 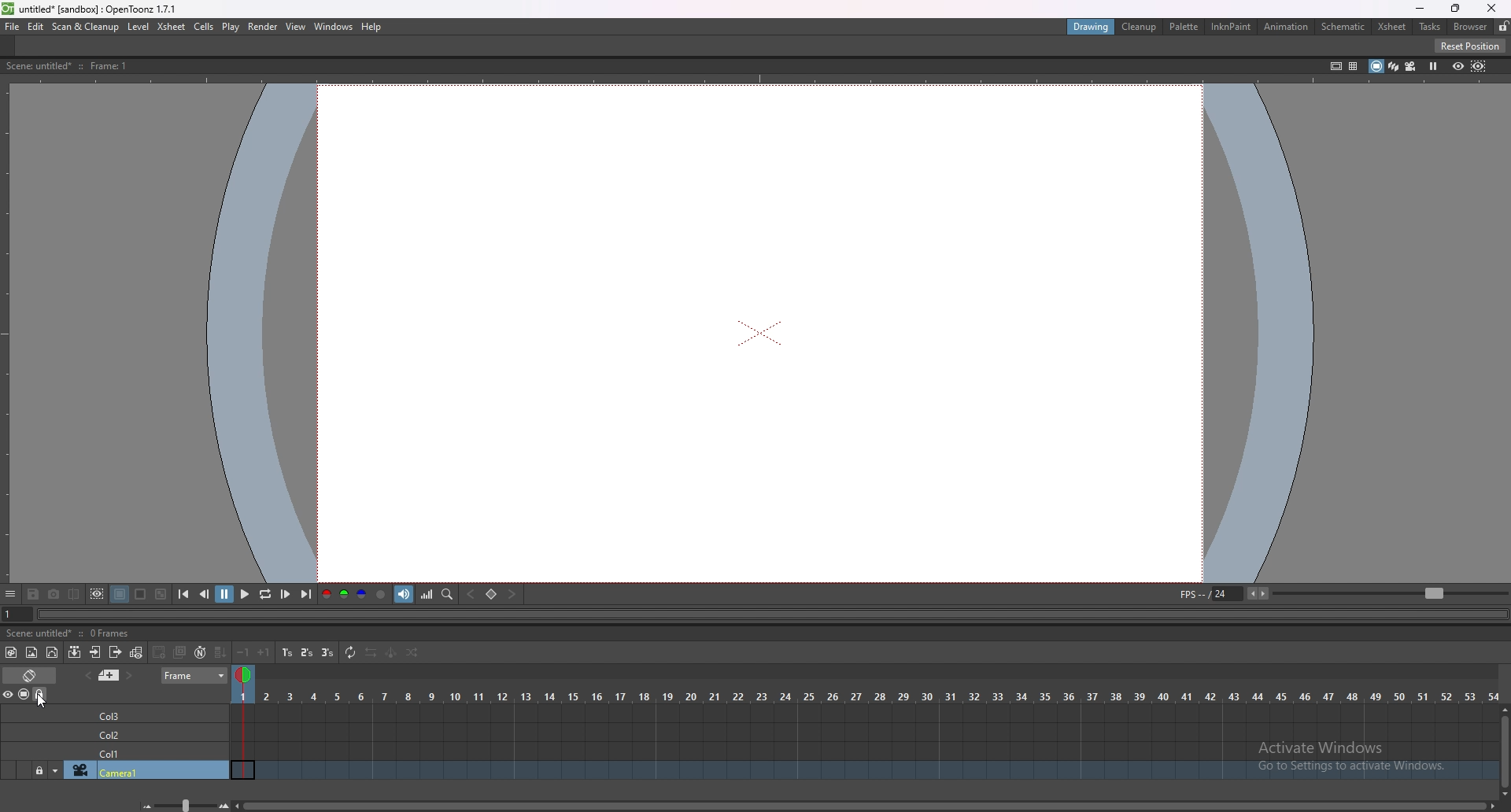 I want to click on edit, so click(x=37, y=26).